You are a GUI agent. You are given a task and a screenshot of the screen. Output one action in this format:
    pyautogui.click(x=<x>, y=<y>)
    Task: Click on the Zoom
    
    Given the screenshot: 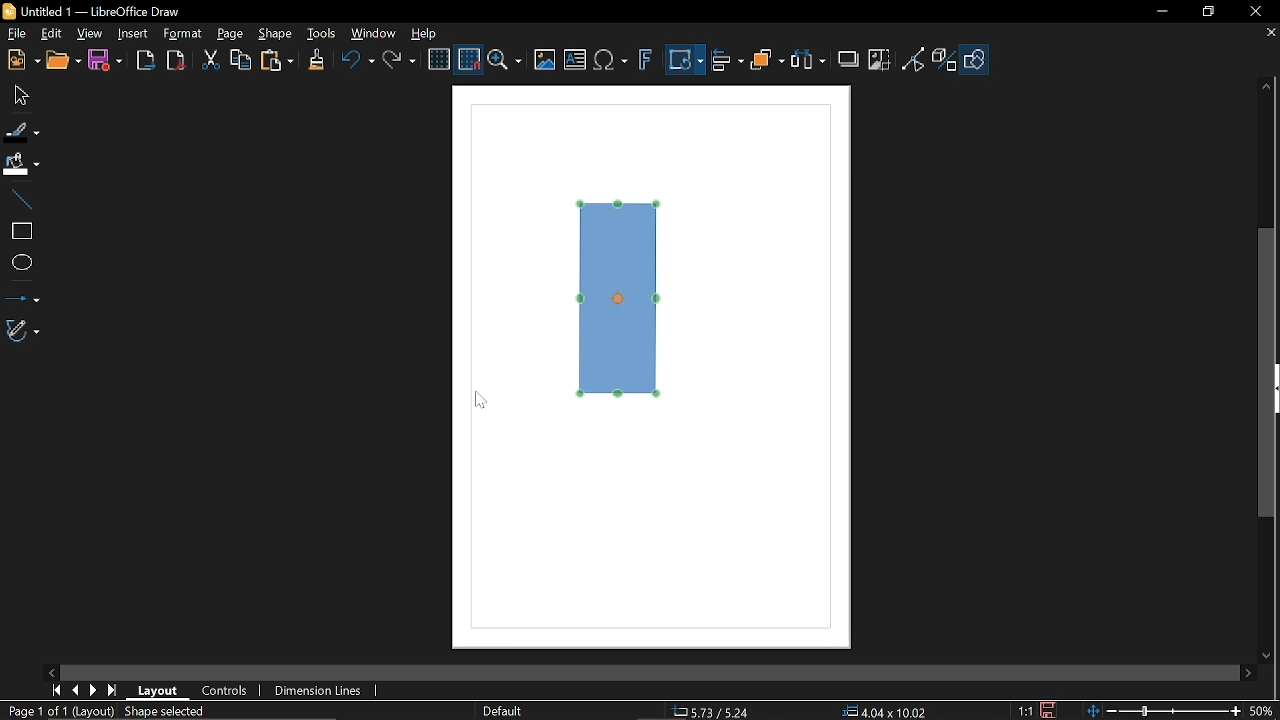 What is the action you would take?
    pyautogui.click(x=505, y=61)
    